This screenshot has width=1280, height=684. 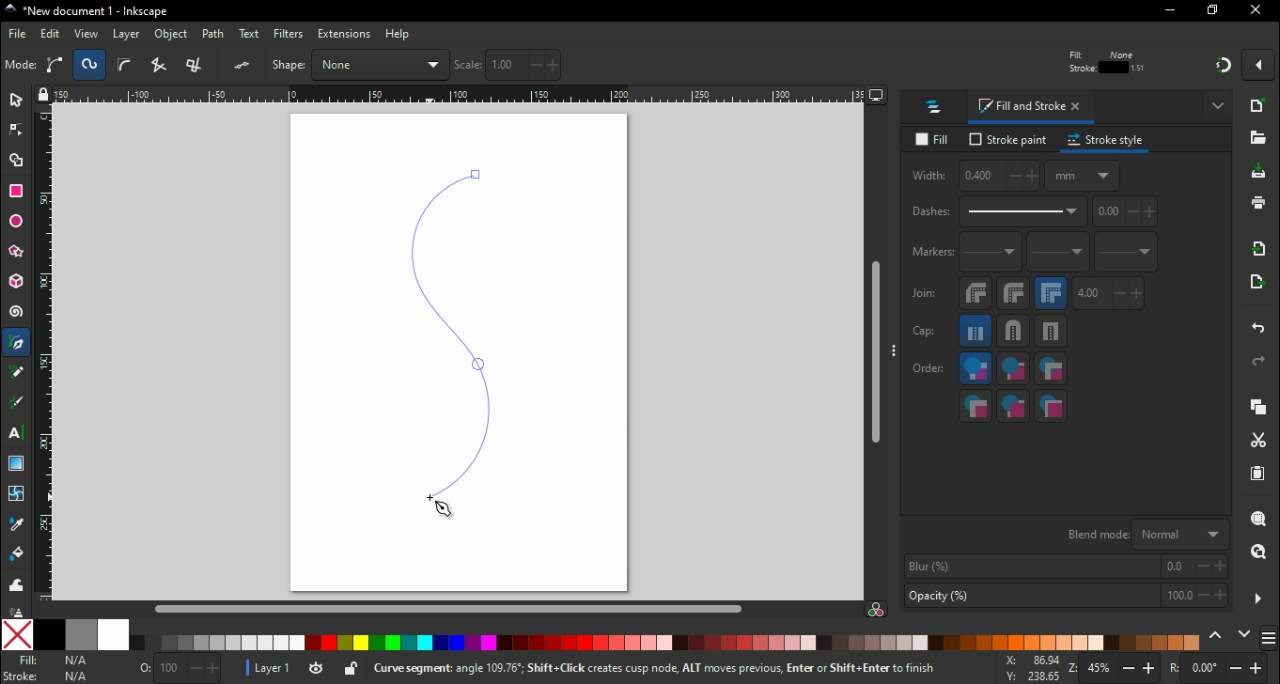 I want to click on new, so click(x=1261, y=109).